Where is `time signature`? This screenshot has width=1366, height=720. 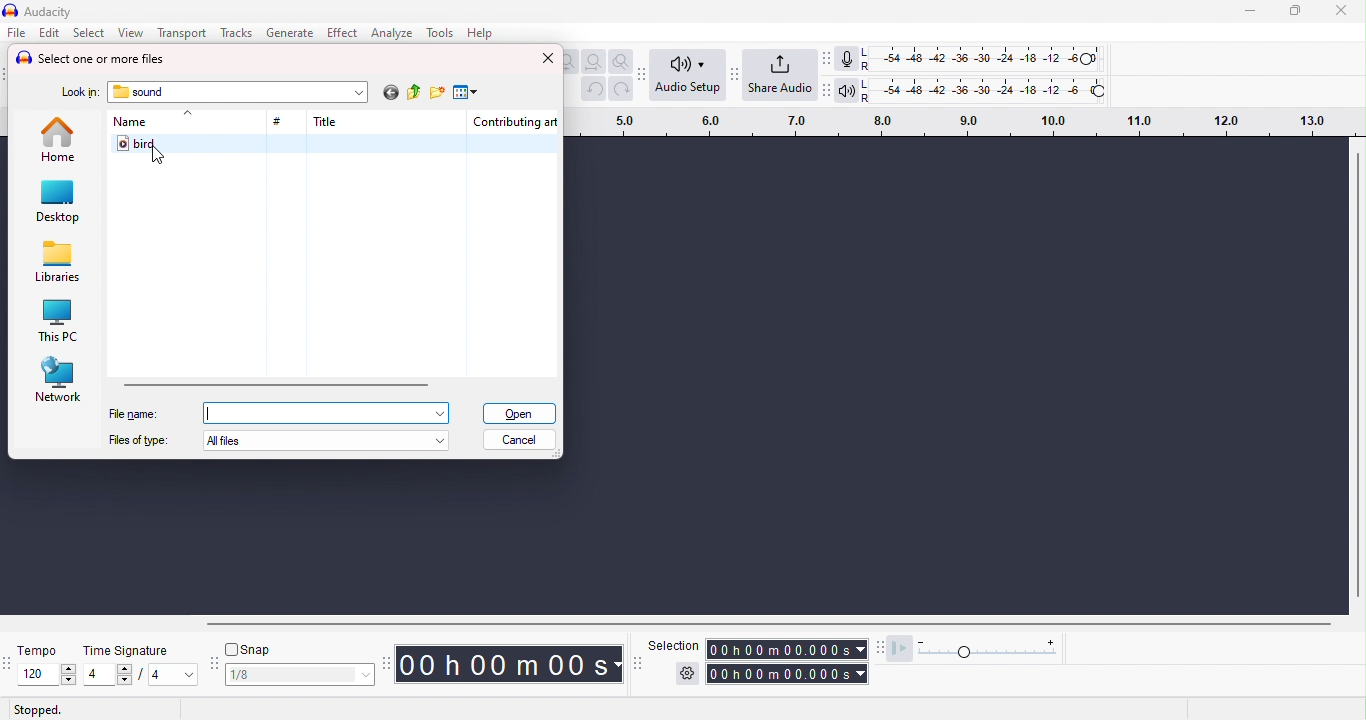
time signature is located at coordinates (131, 651).